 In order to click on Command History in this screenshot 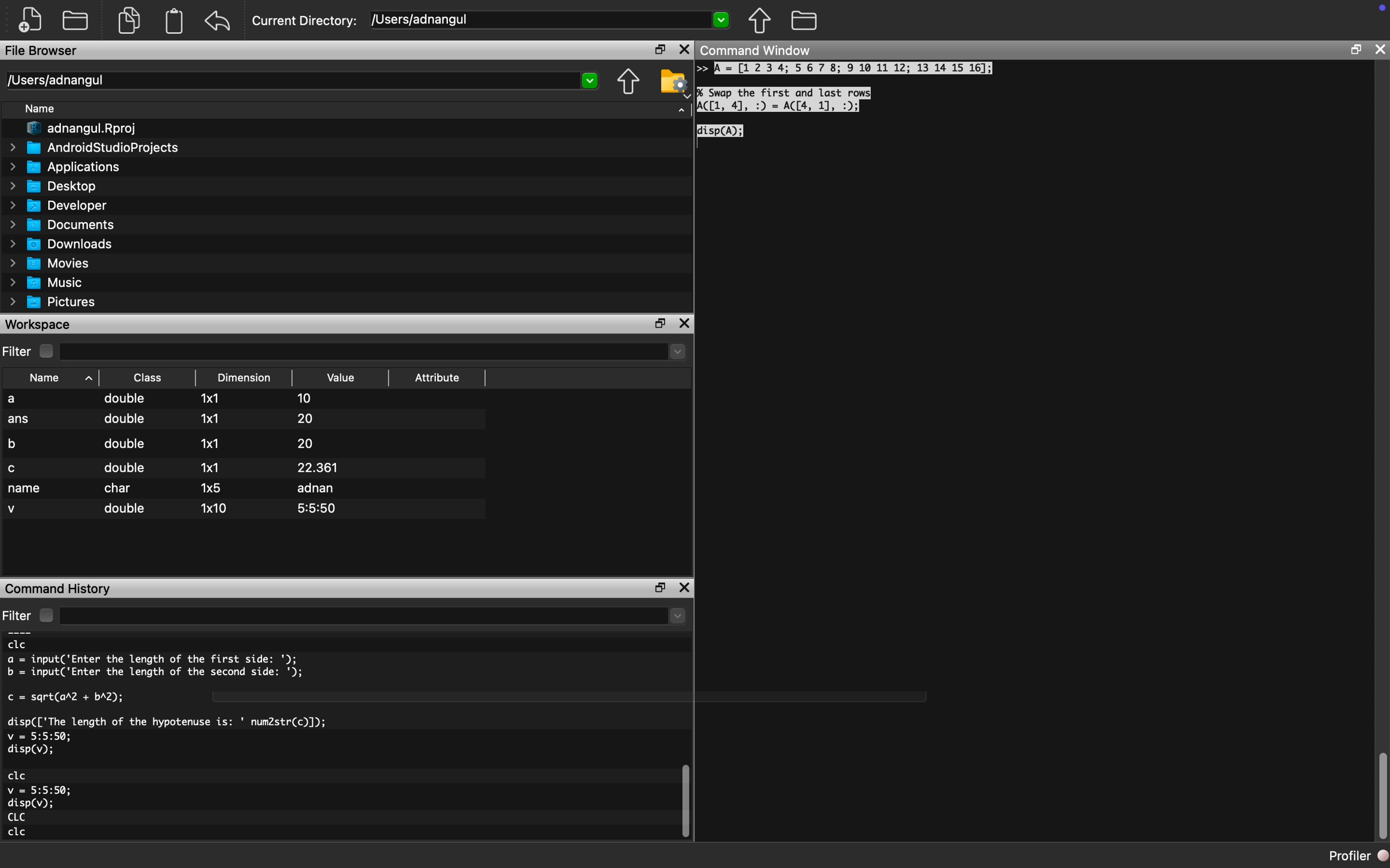, I will do `click(60, 588)`.